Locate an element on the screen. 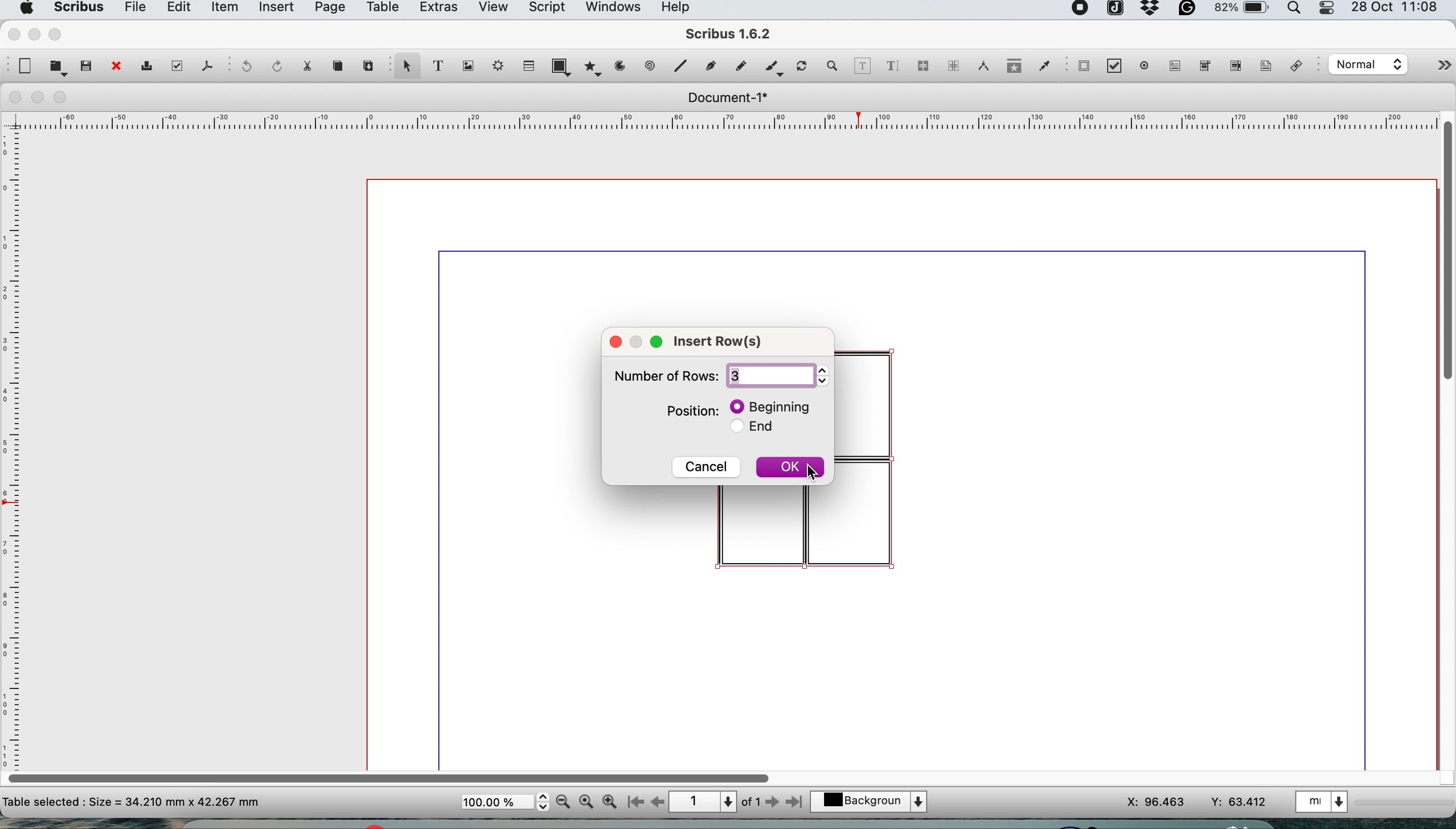  grammarly is located at coordinates (1189, 11).